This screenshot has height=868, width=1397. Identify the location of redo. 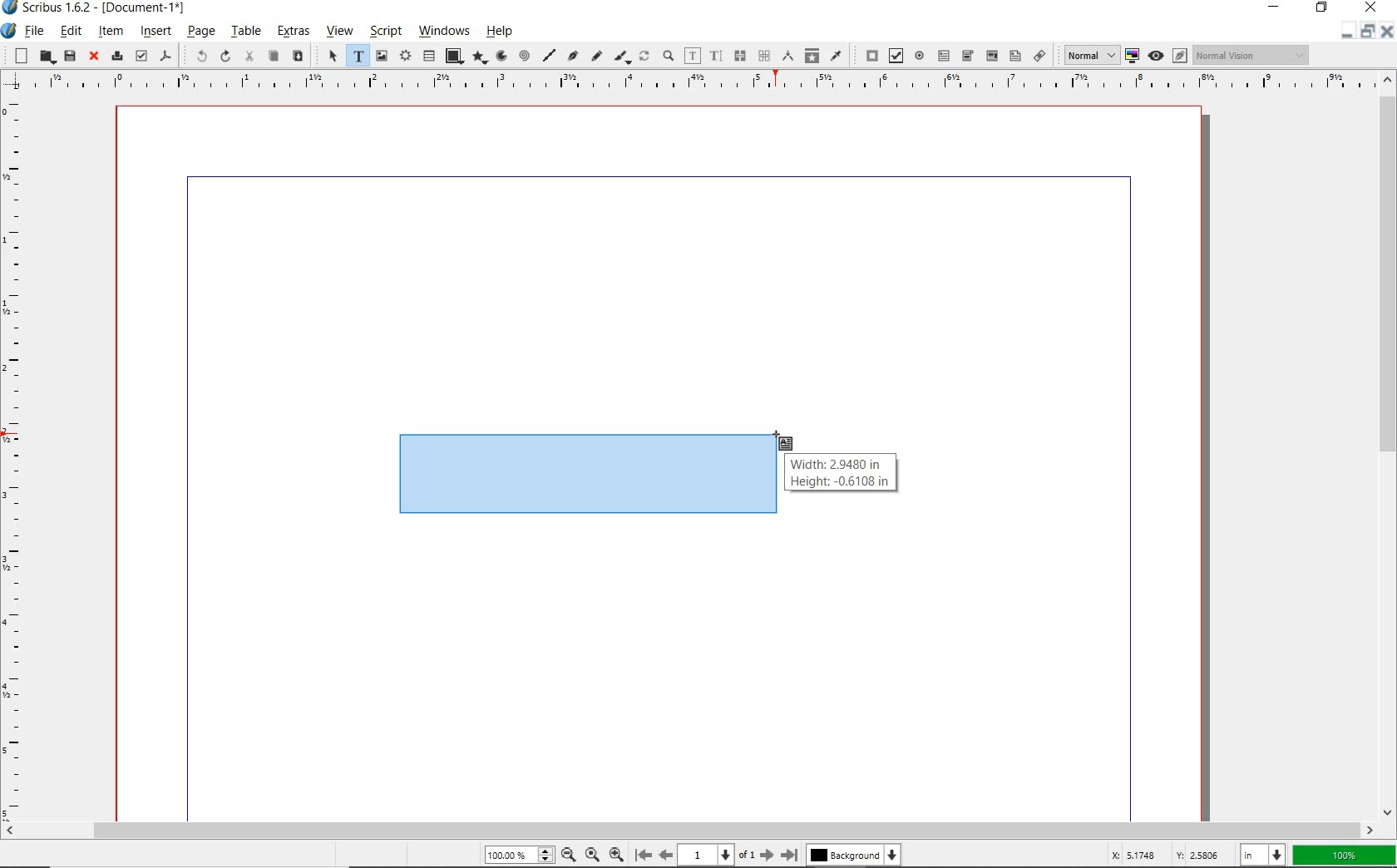
(224, 56).